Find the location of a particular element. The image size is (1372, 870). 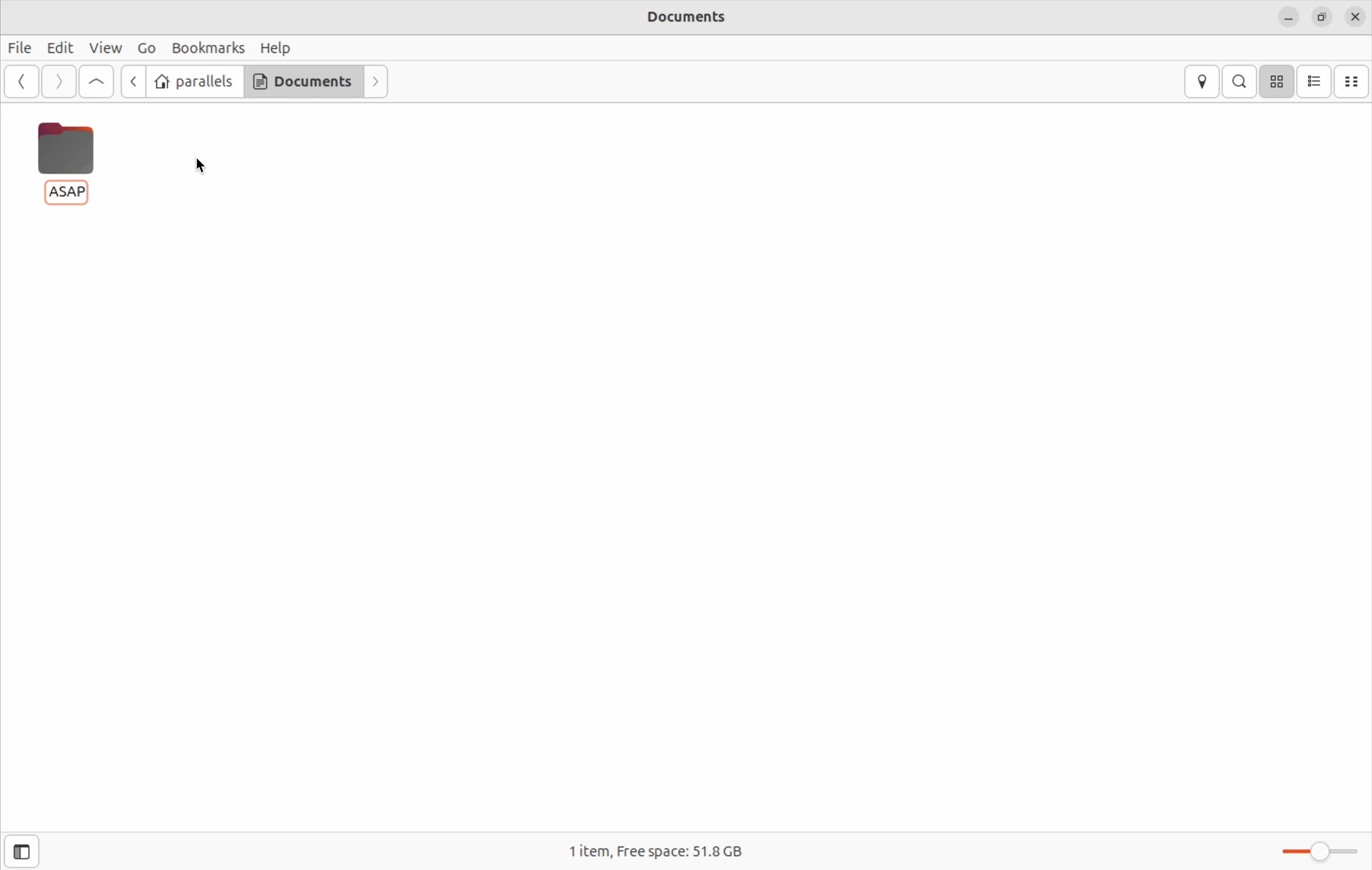

compact view is located at coordinates (1355, 80).